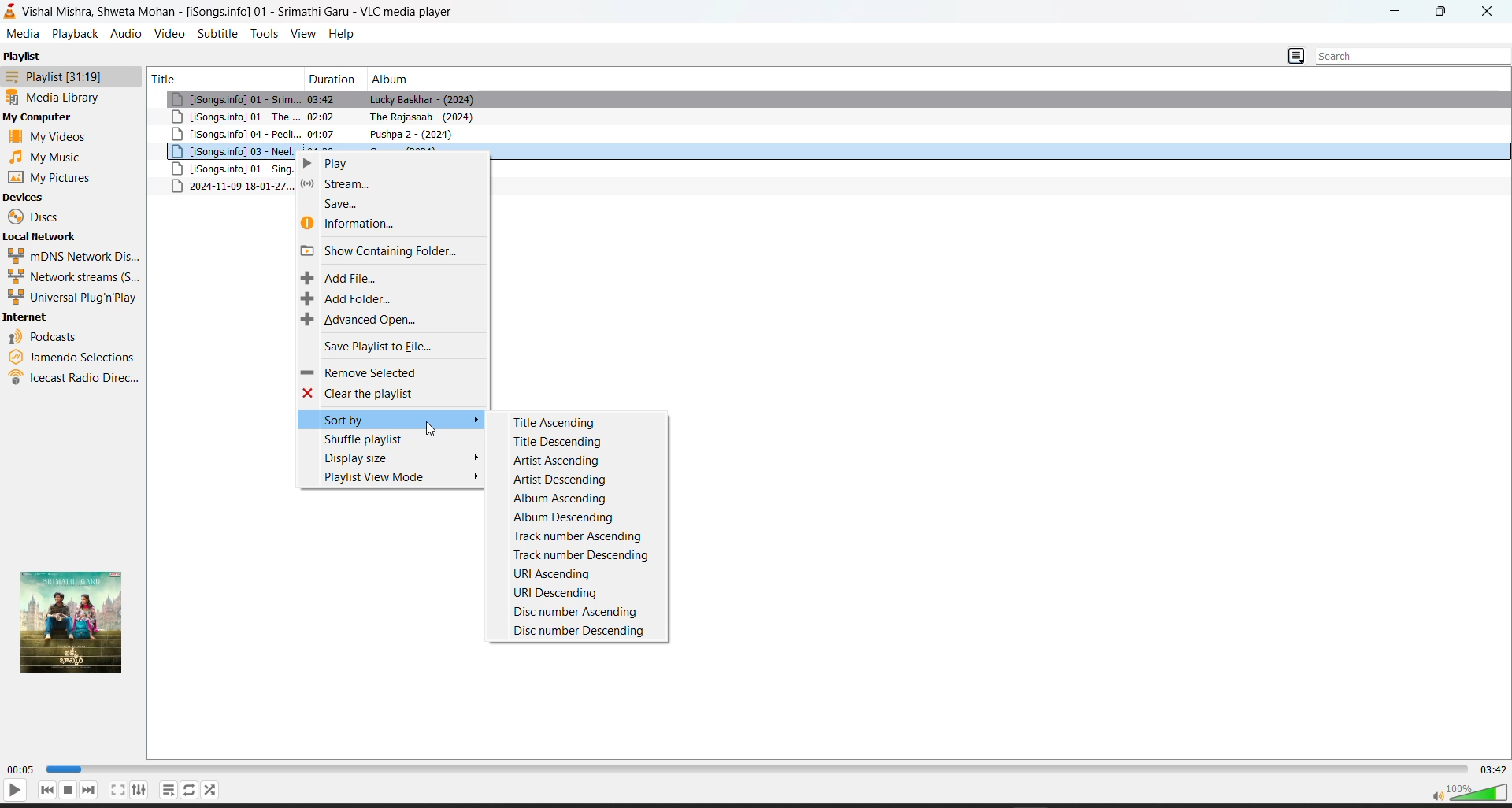 This screenshot has height=808, width=1512. I want to click on track number ascending, so click(576, 537).